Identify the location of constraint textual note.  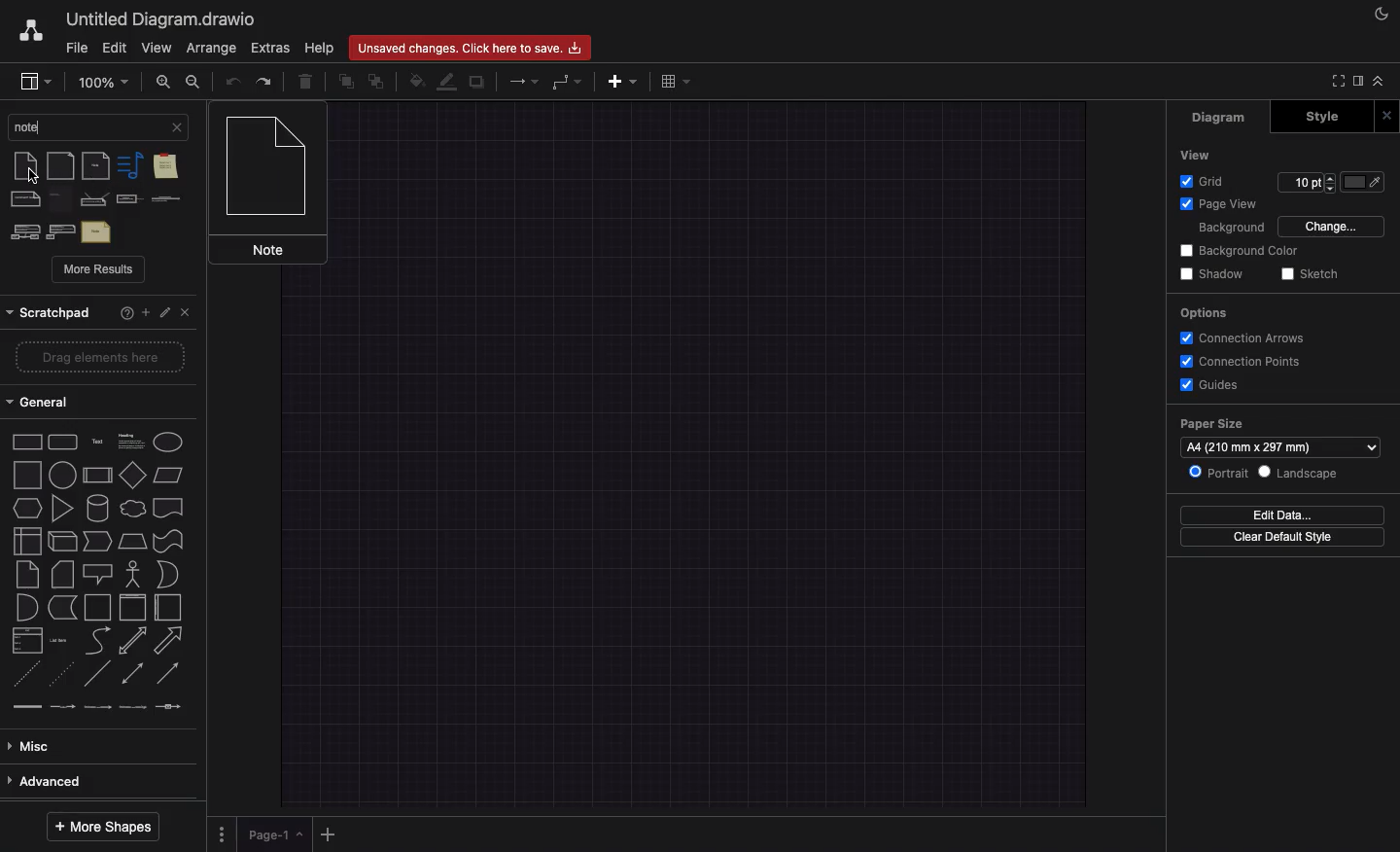
(165, 199).